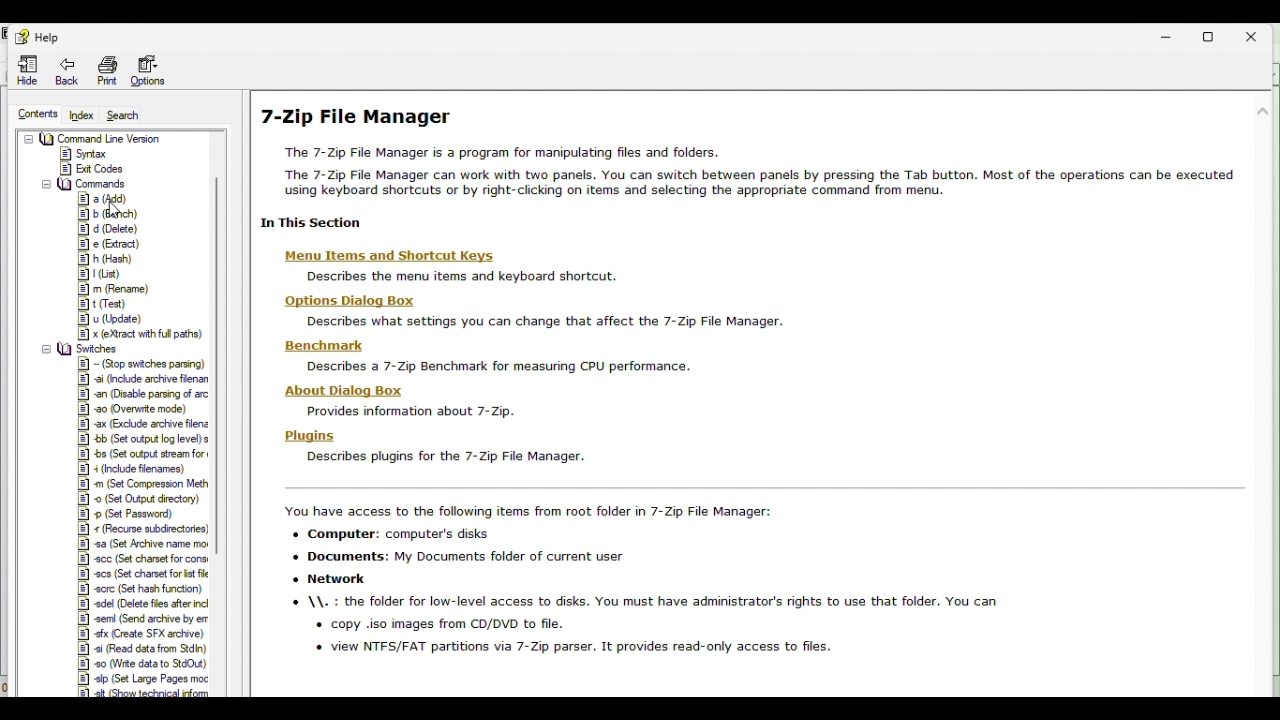 This screenshot has width=1280, height=720. I want to click on -sfx, so click(143, 633).